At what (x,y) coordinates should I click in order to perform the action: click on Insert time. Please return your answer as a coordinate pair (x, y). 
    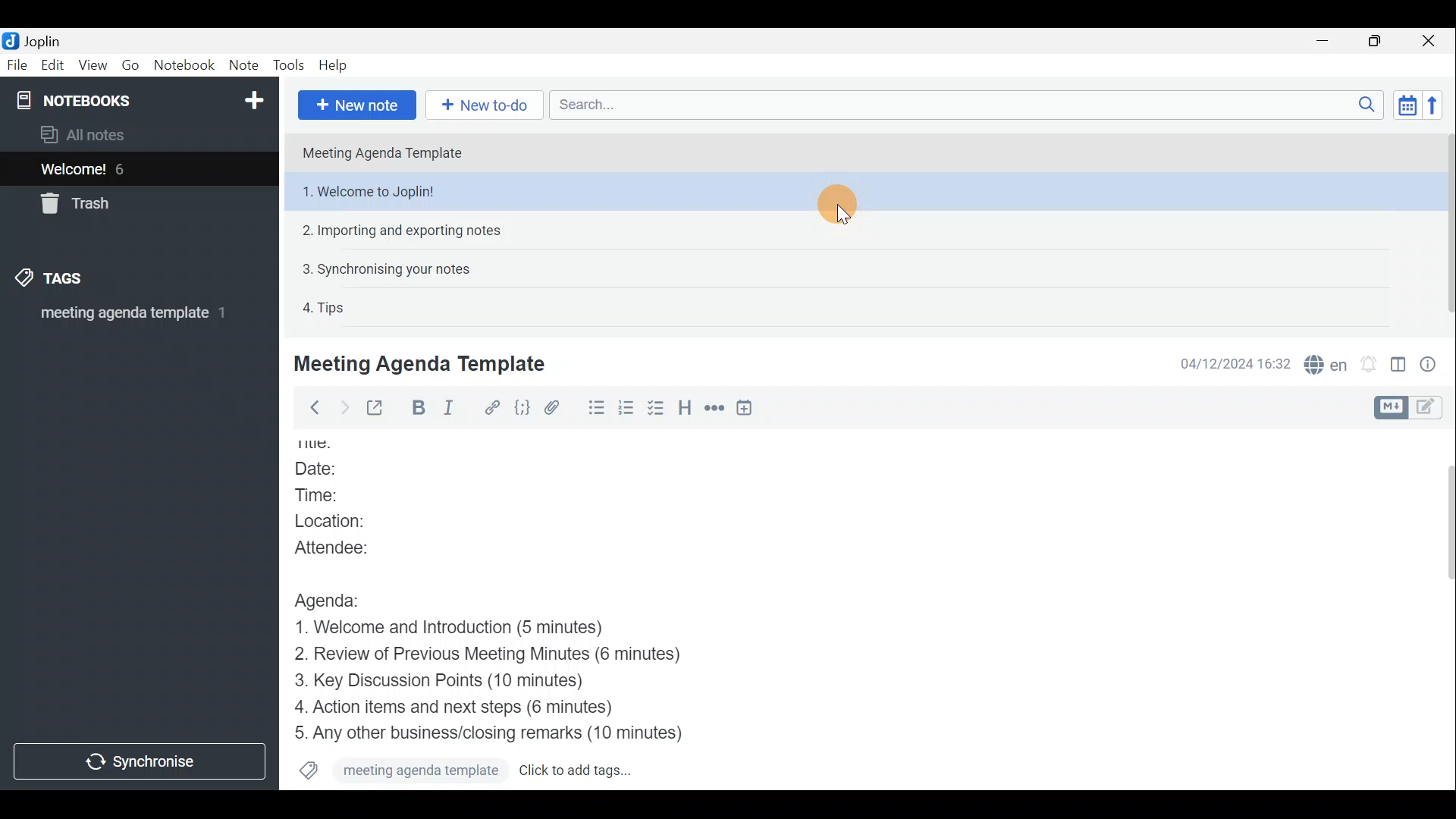
    Looking at the image, I should click on (748, 410).